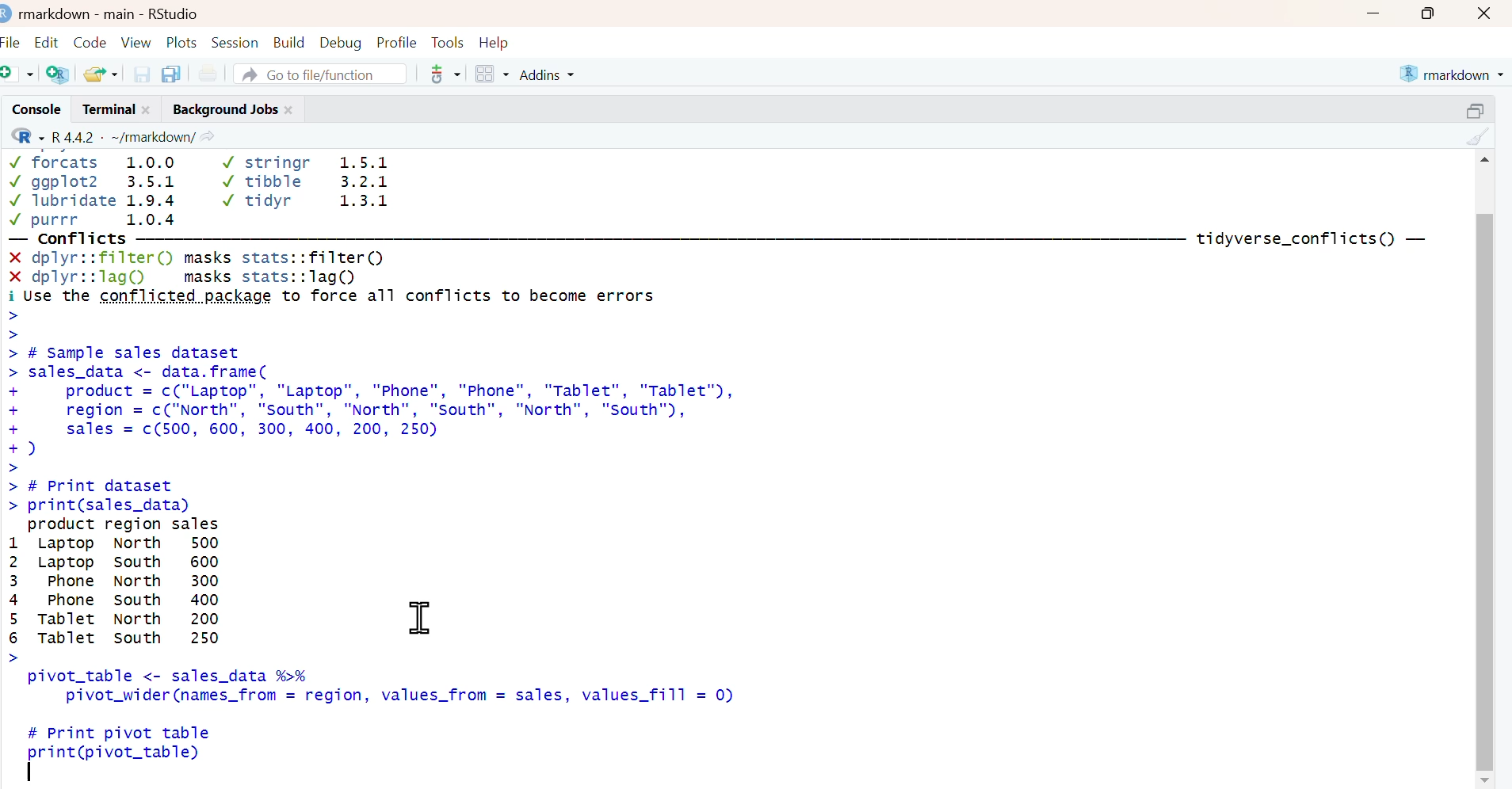 This screenshot has height=789, width=1512. What do you see at coordinates (105, 109) in the screenshot?
I see `Terminal` at bounding box center [105, 109].